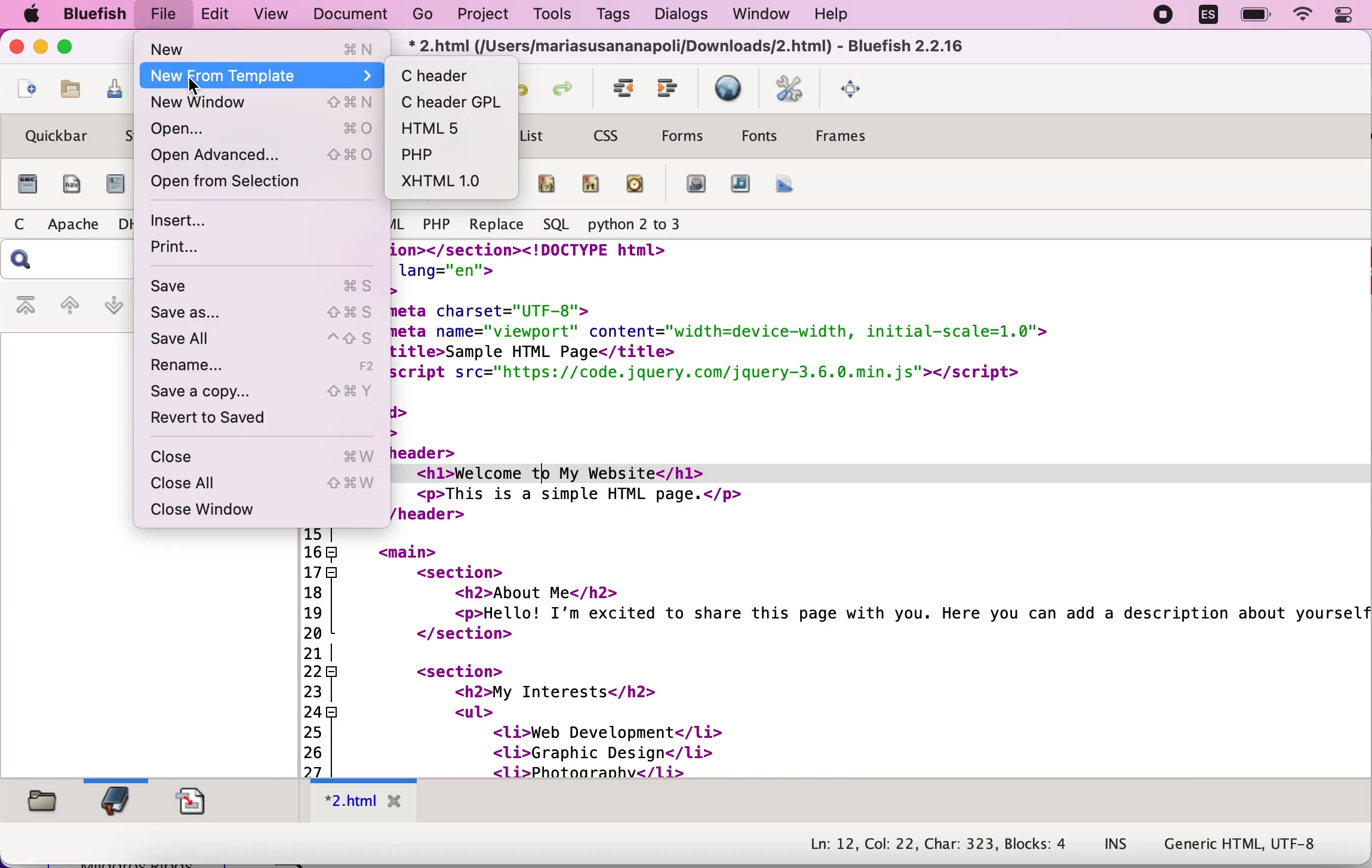  What do you see at coordinates (317, 652) in the screenshot?
I see `Line Numbers` at bounding box center [317, 652].